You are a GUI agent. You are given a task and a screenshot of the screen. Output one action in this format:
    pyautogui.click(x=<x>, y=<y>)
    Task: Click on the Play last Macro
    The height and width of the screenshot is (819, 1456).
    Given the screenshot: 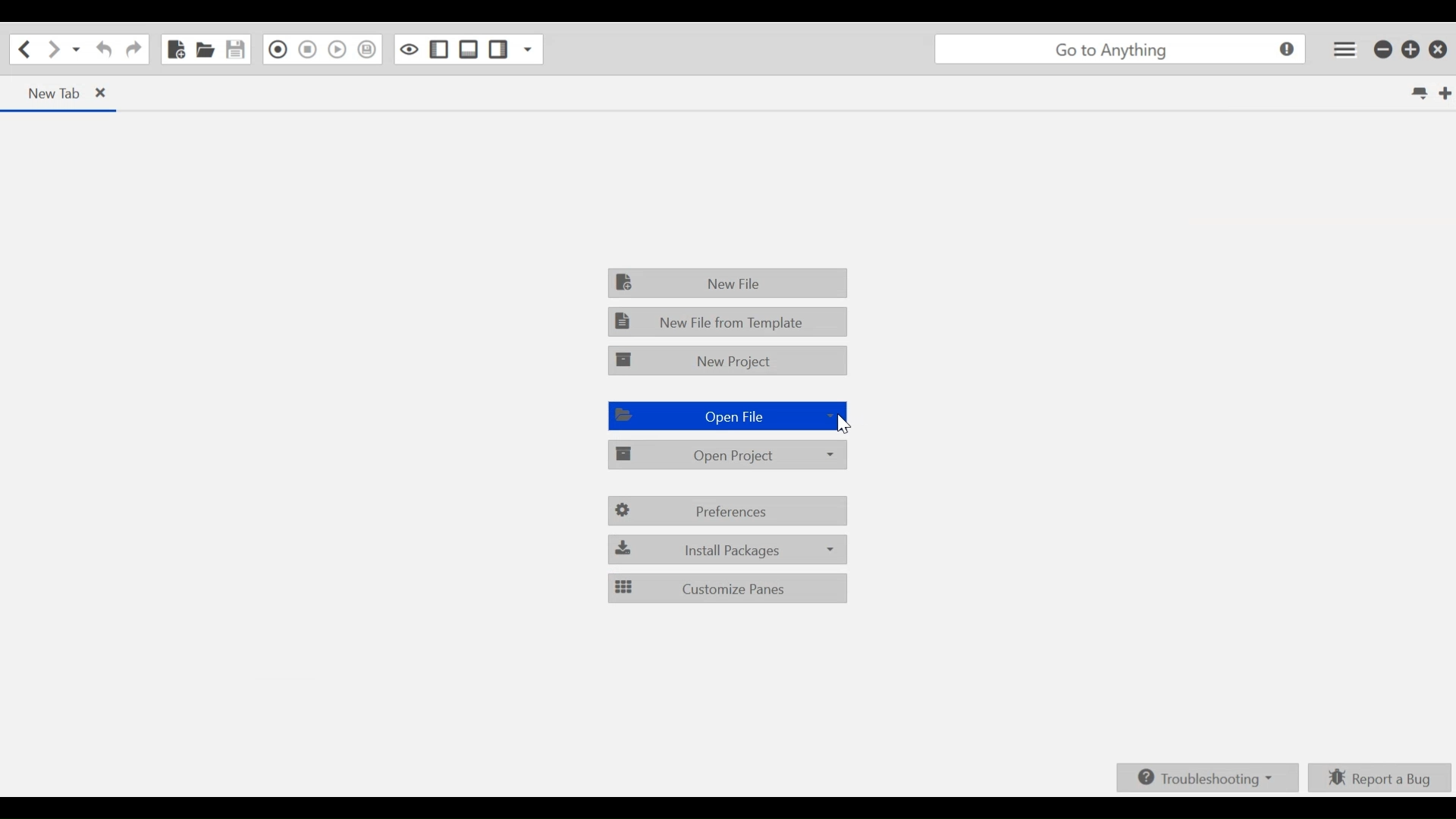 What is the action you would take?
    pyautogui.click(x=336, y=50)
    